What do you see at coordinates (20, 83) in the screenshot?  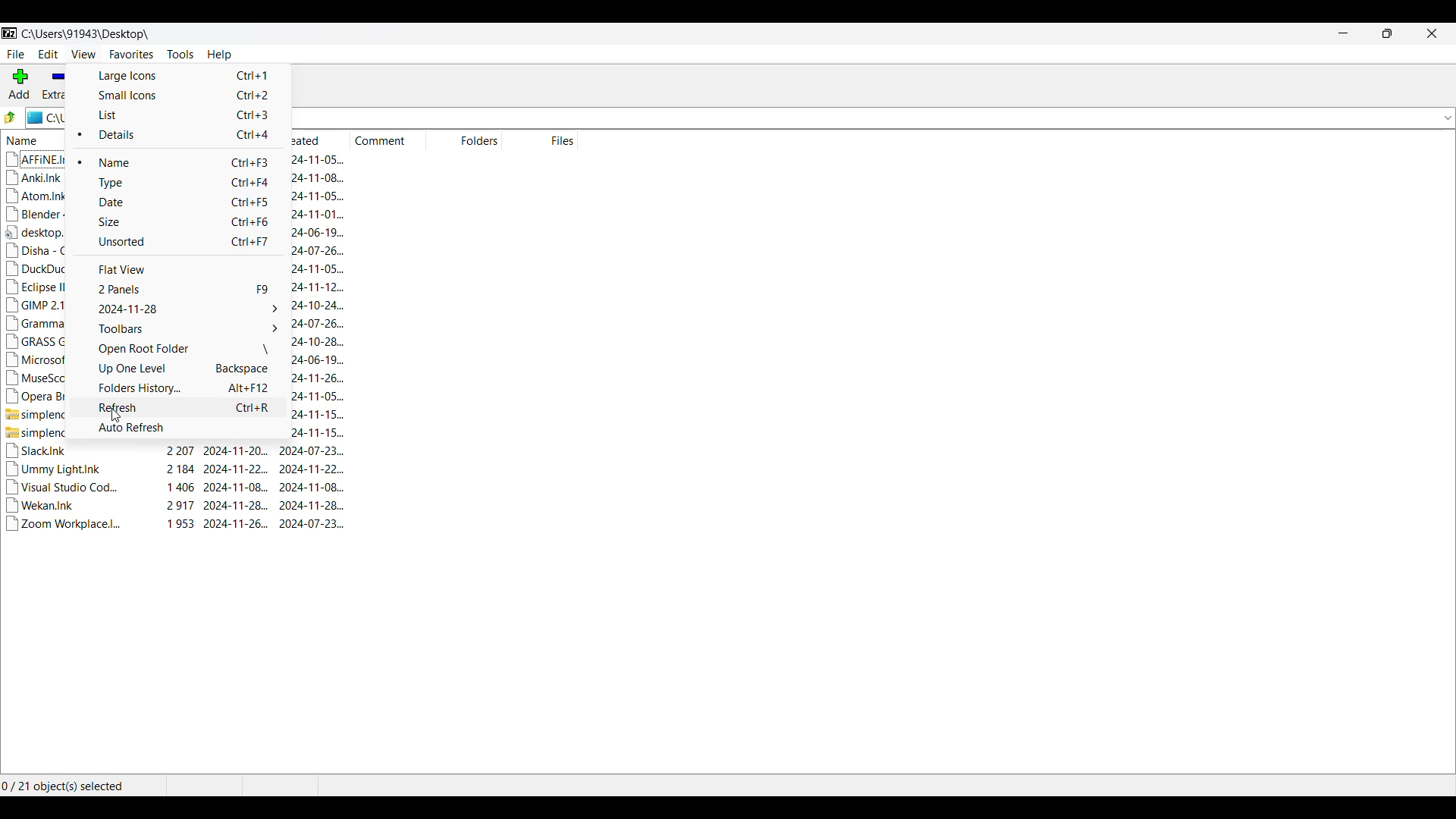 I see `Add` at bounding box center [20, 83].